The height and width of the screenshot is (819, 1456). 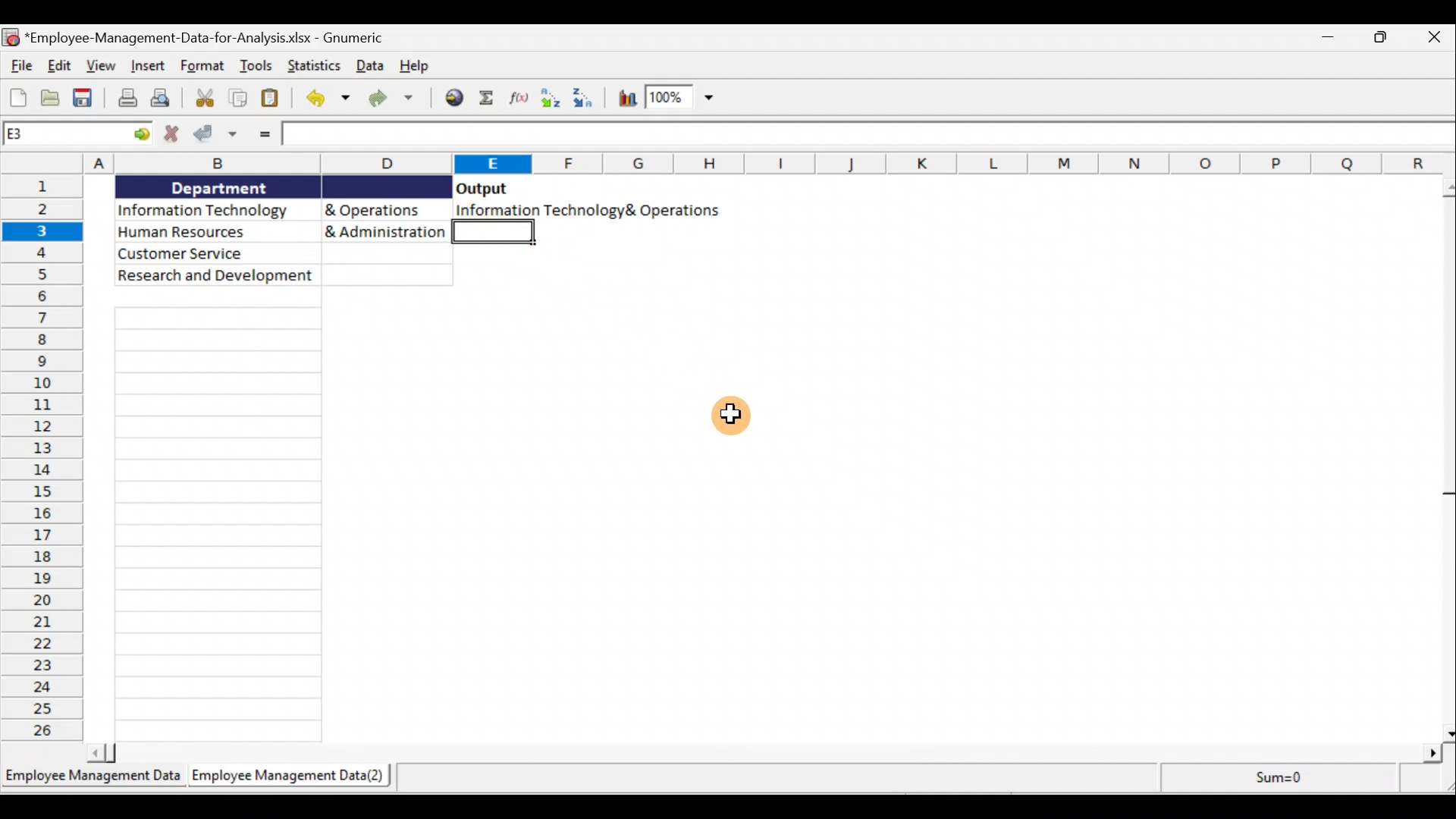 What do you see at coordinates (766, 753) in the screenshot?
I see `scroll bar` at bounding box center [766, 753].